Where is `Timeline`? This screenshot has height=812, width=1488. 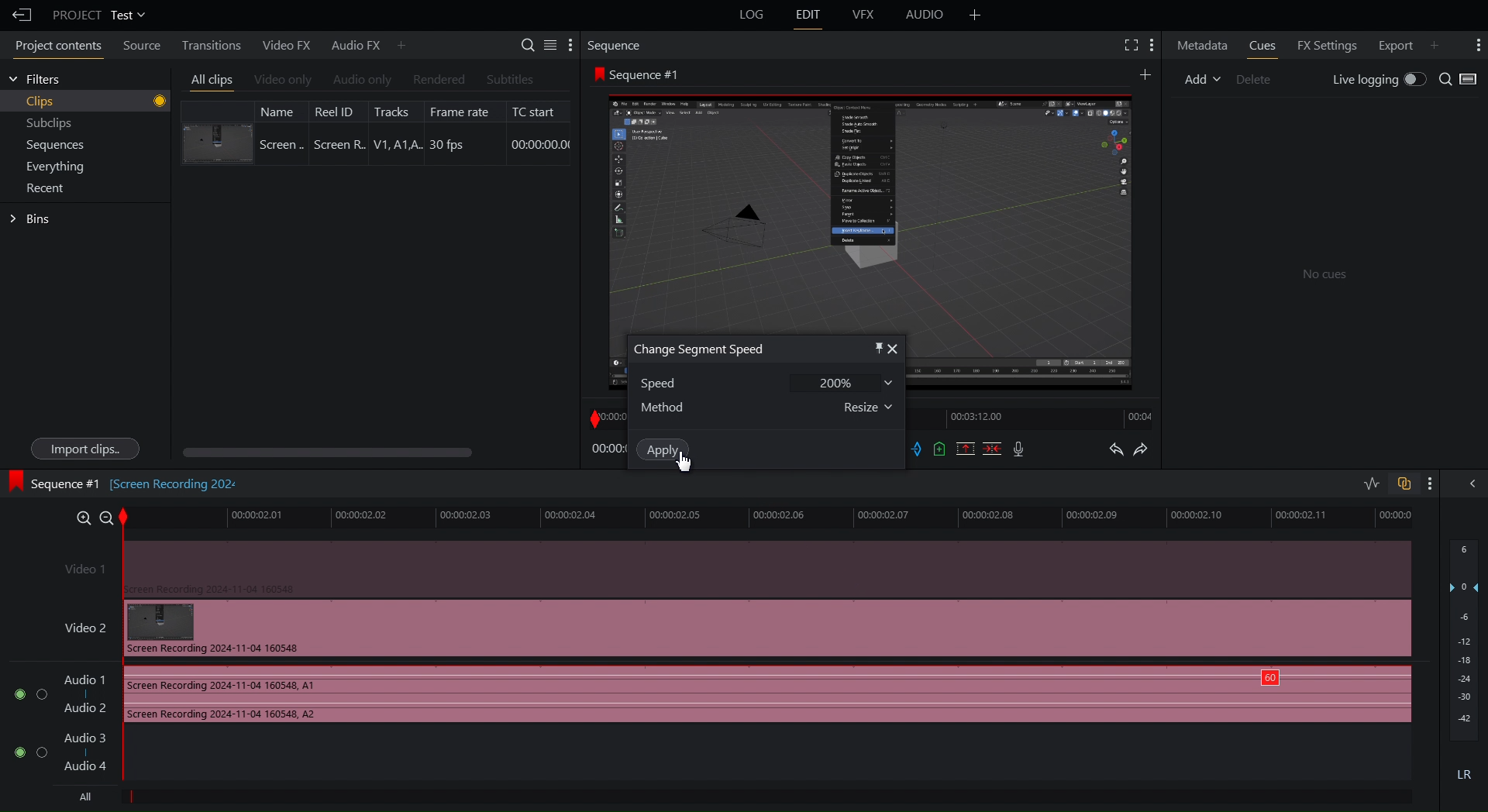 Timeline is located at coordinates (606, 416).